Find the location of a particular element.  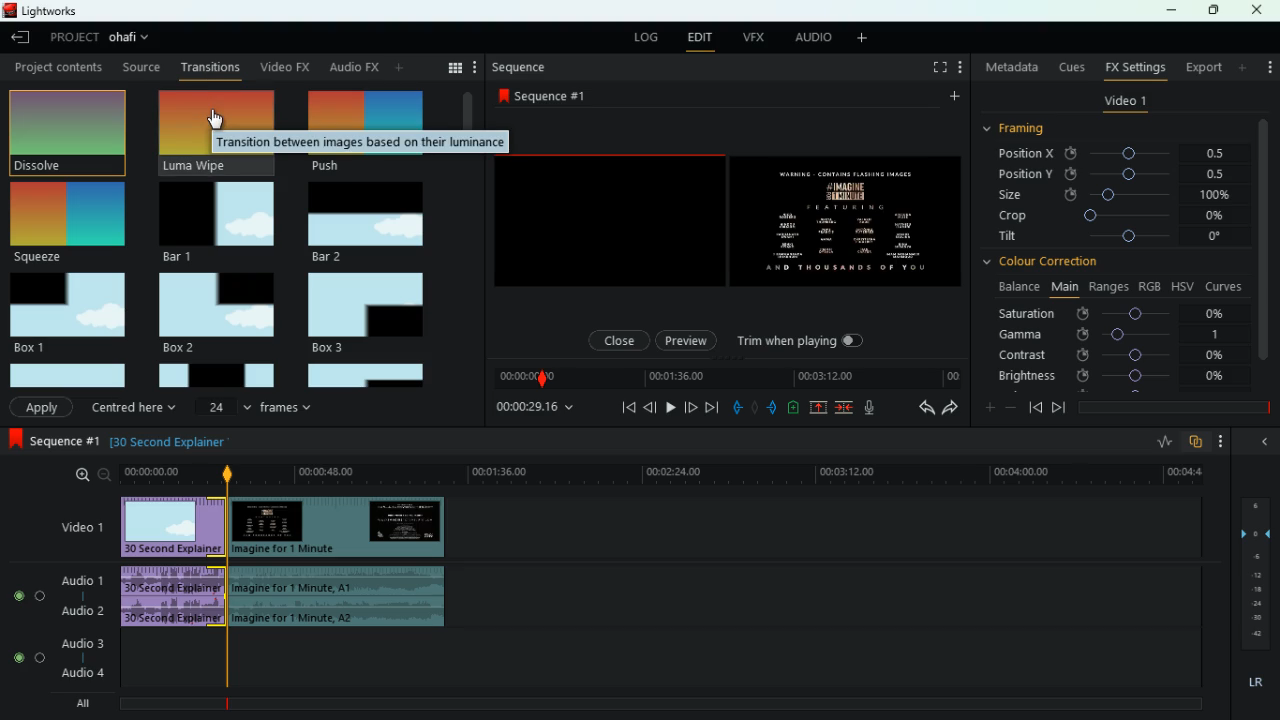

push is located at coordinates (774, 409).